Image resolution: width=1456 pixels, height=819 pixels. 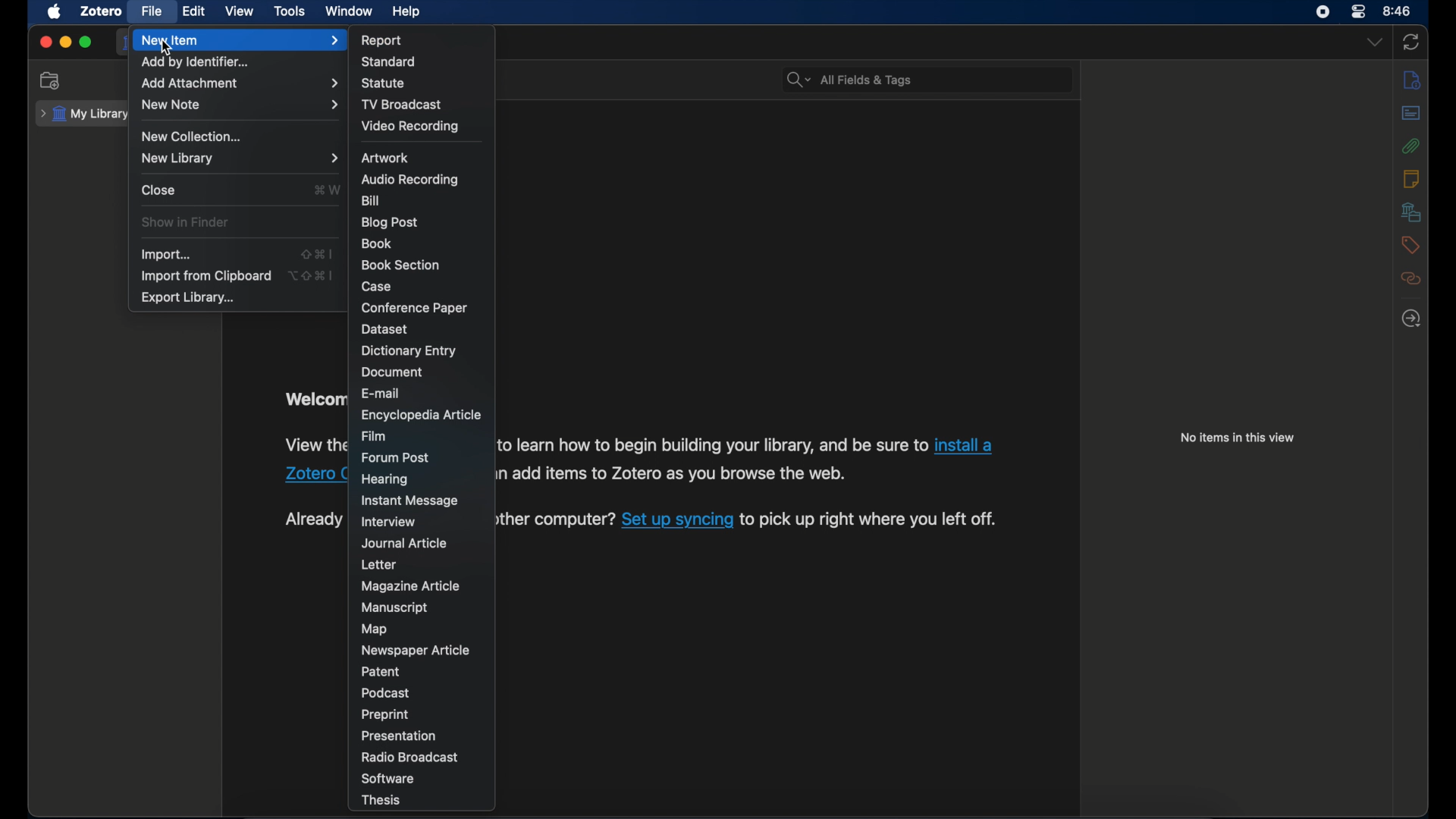 What do you see at coordinates (199, 63) in the screenshot?
I see `add by identifier` at bounding box center [199, 63].